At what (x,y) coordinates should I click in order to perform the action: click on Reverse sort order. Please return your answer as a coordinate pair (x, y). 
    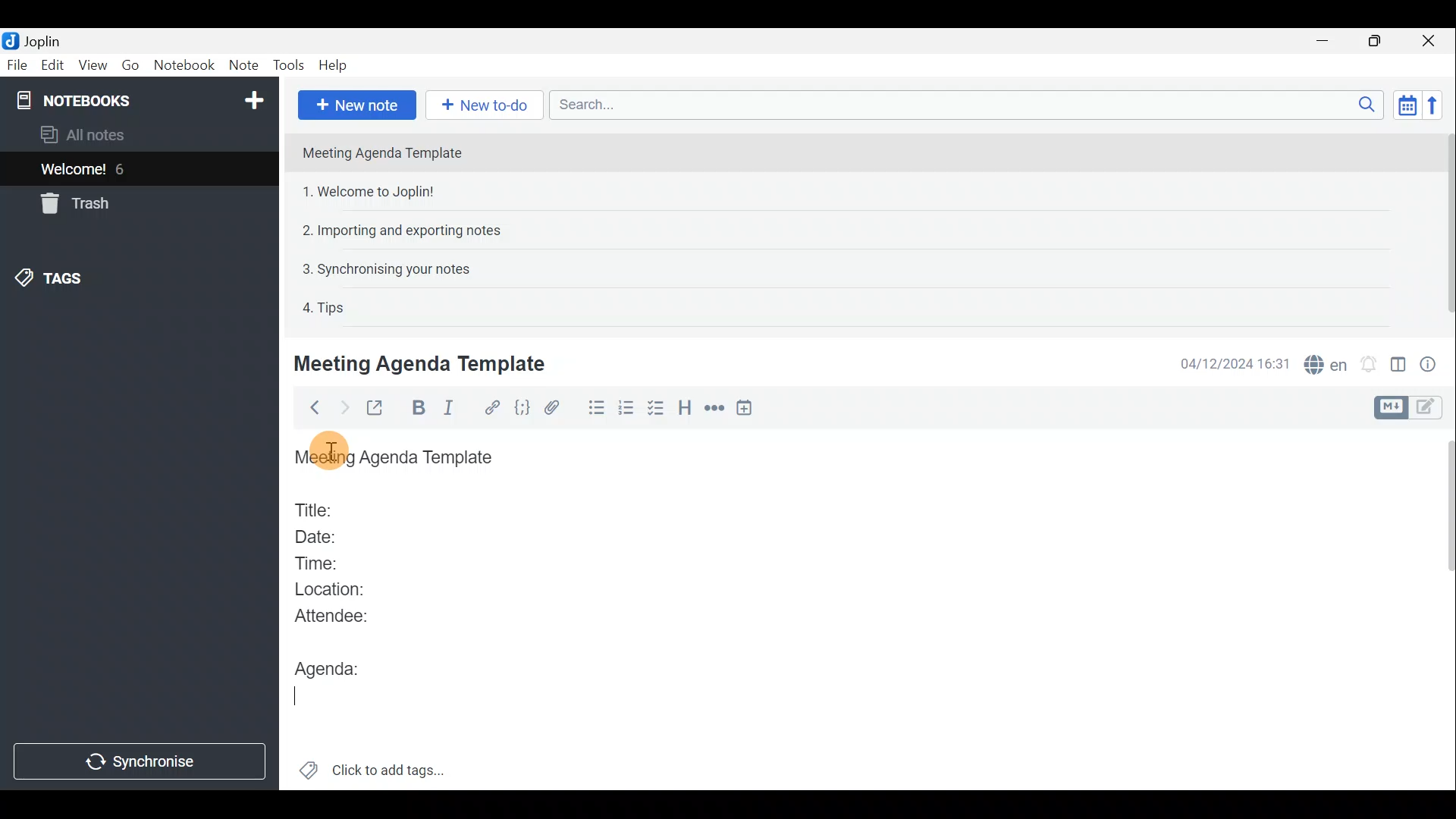
    Looking at the image, I should click on (1435, 105).